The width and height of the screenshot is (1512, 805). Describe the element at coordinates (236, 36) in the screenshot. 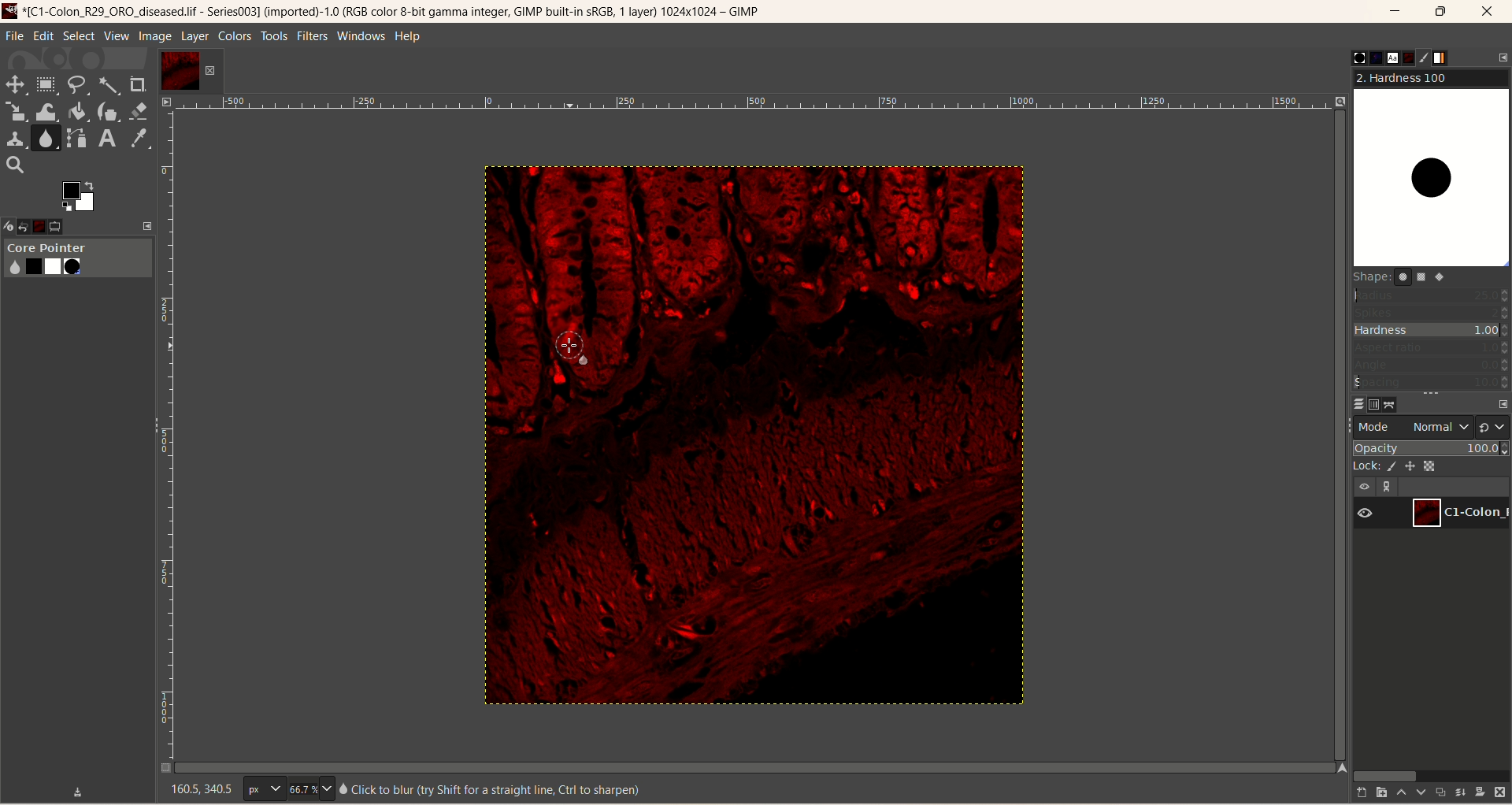

I see `colors` at that location.